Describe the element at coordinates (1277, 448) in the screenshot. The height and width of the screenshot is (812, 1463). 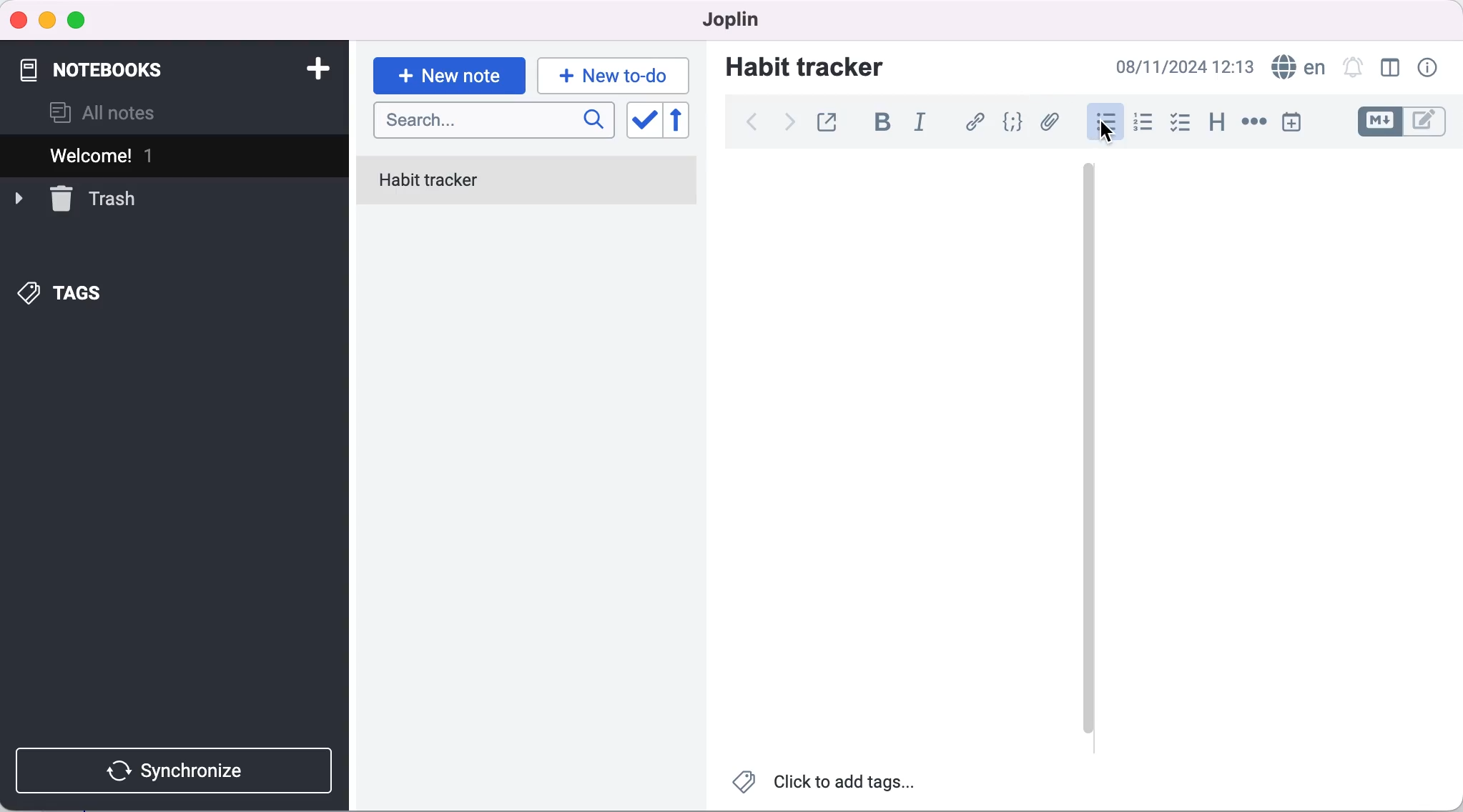
I see `blank canvas` at that location.